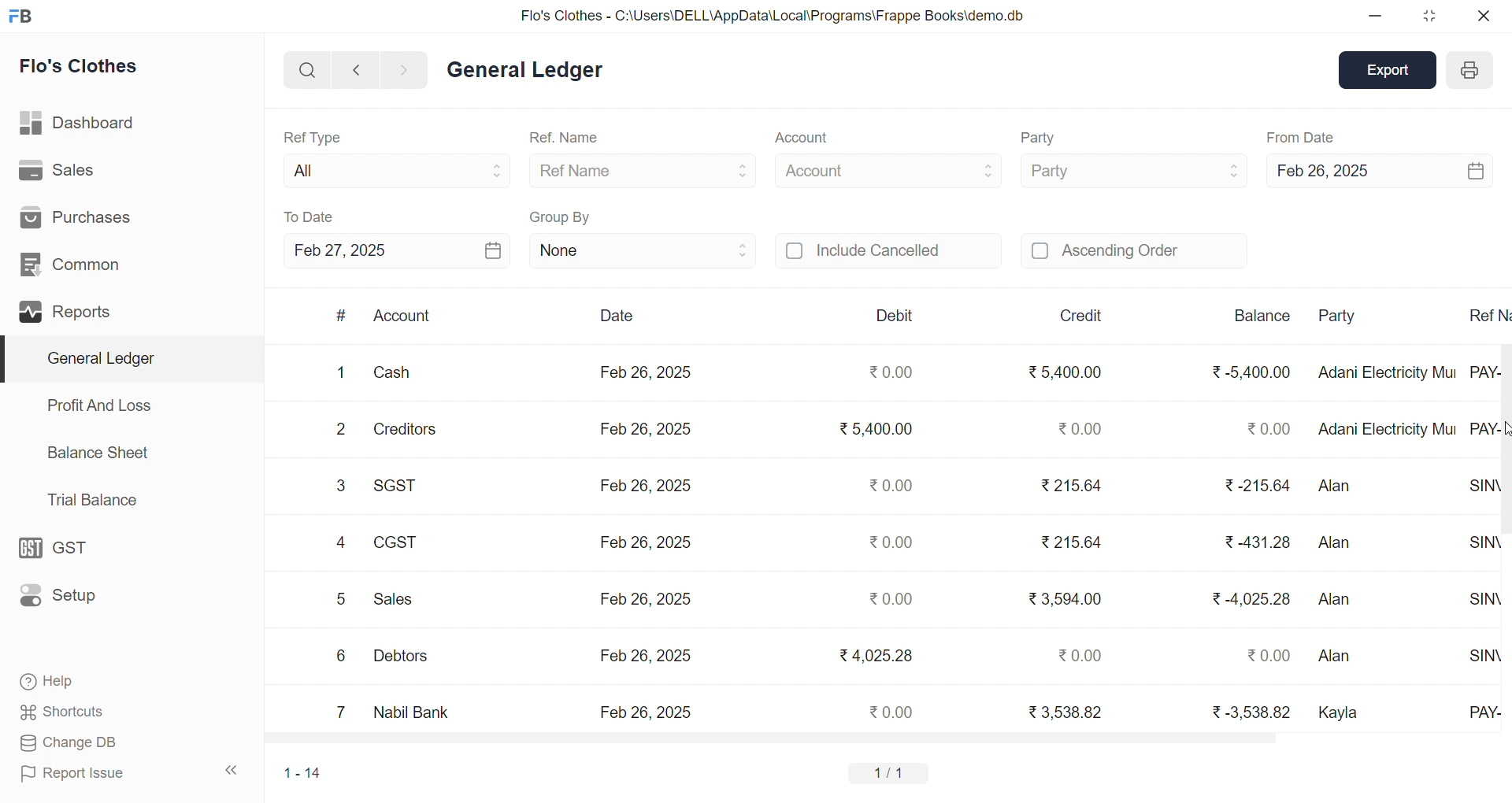  Describe the element at coordinates (341, 711) in the screenshot. I see `7` at that location.